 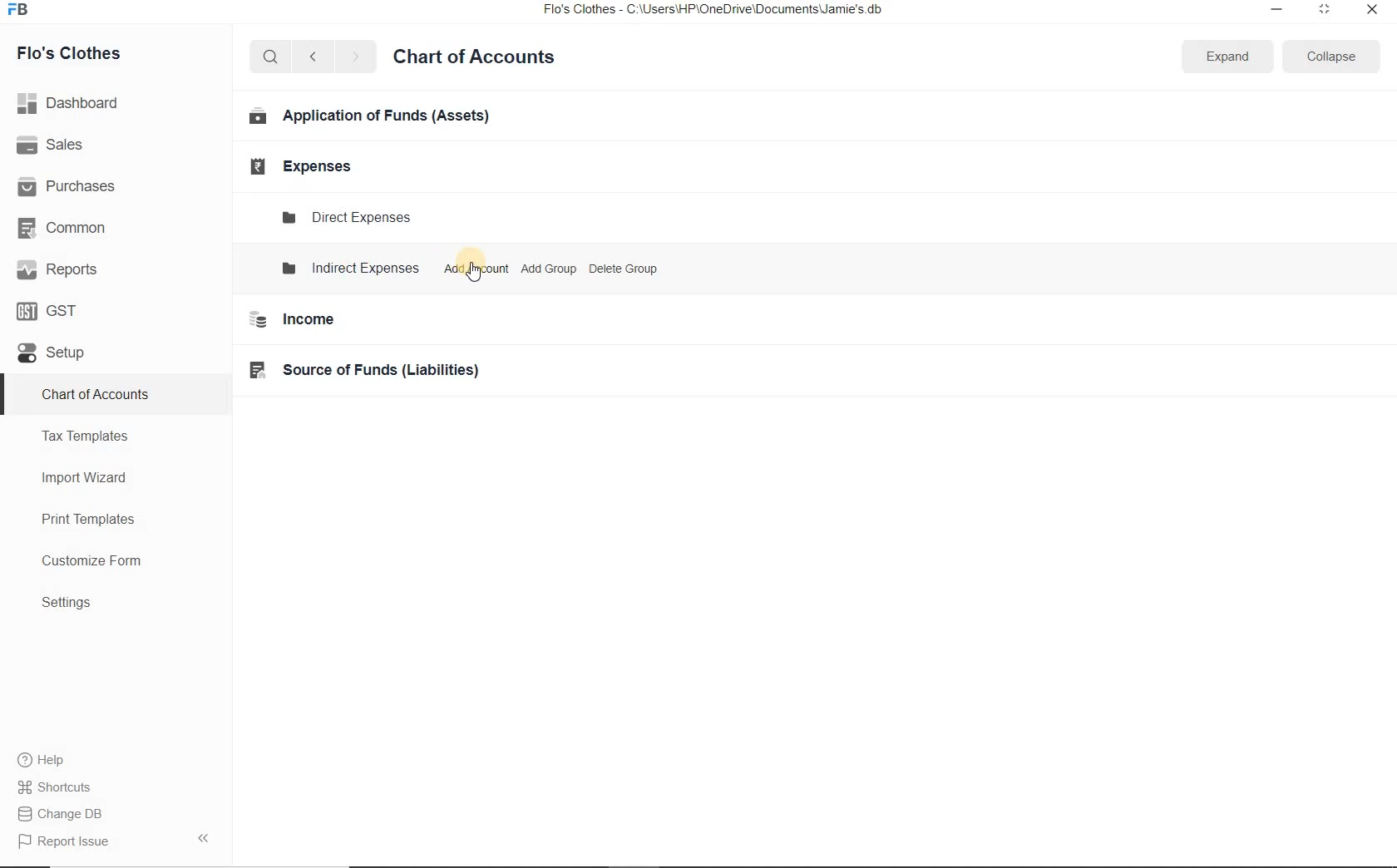 What do you see at coordinates (51, 760) in the screenshot?
I see ` Help` at bounding box center [51, 760].